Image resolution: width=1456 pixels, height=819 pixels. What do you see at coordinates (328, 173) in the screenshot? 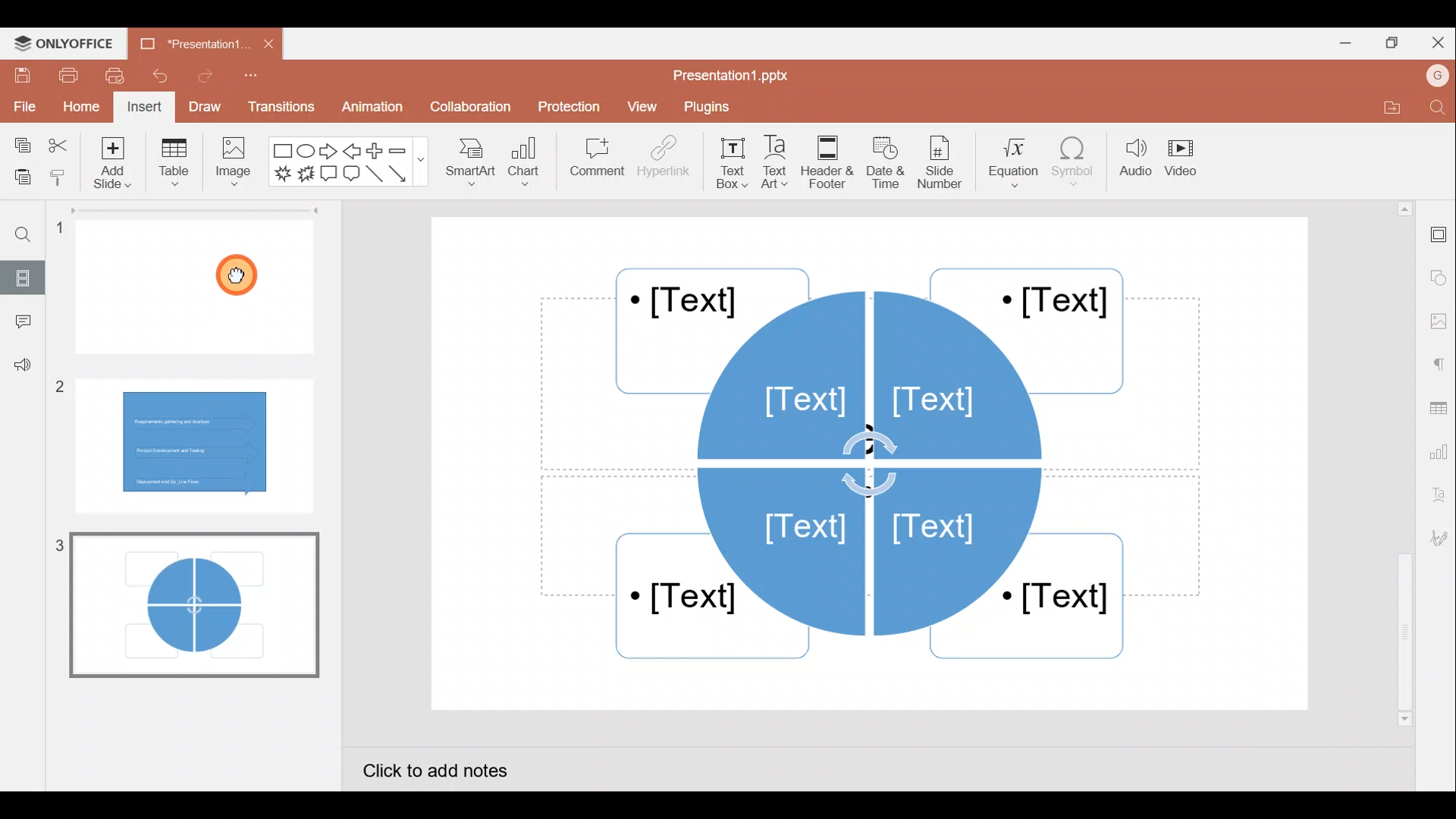
I see `Rectangular callout` at bounding box center [328, 173].